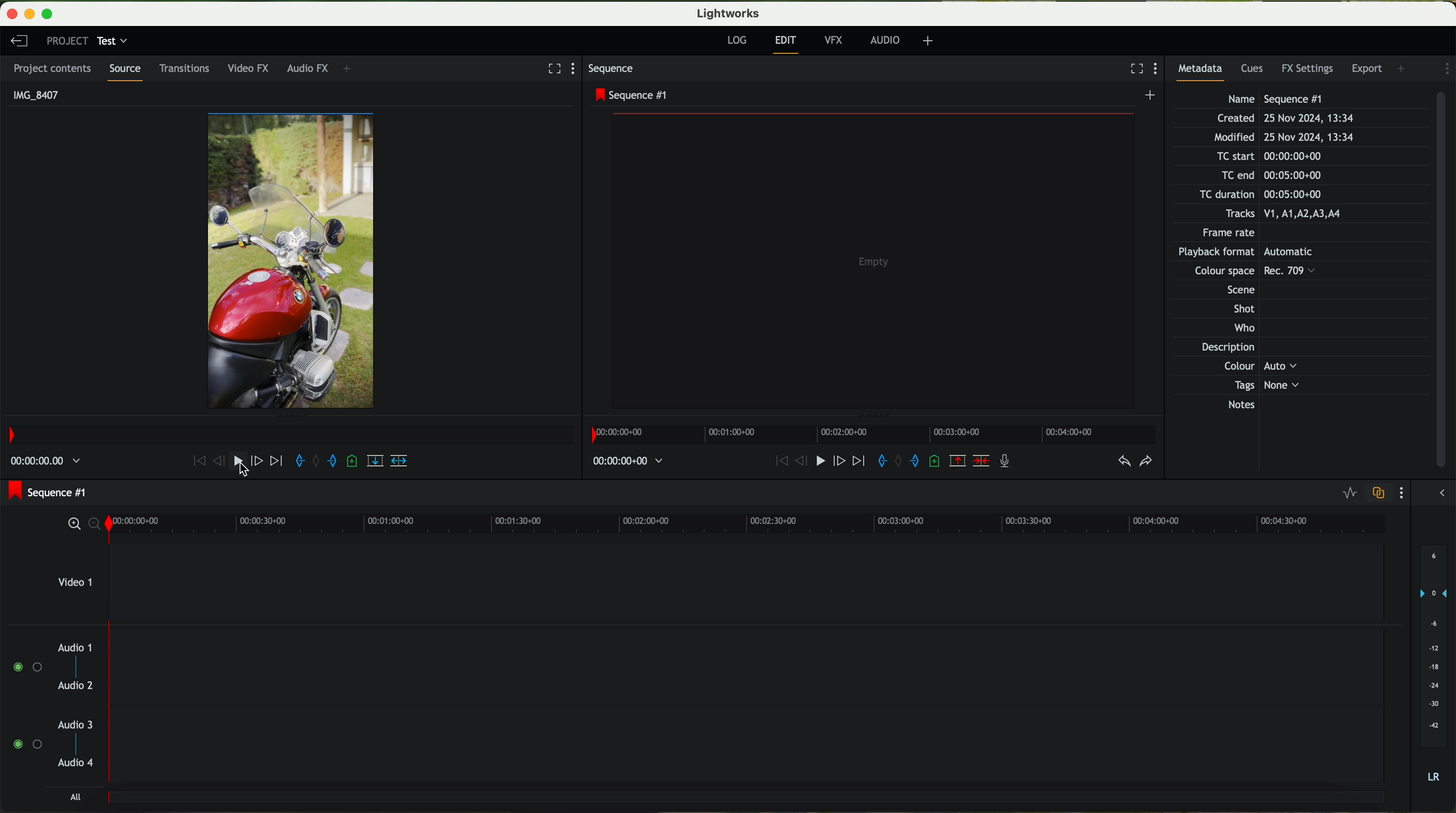 This screenshot has width=1456, height=813. What do you see at coordinates (748, 799) in the screenshot?
I see `track` at bounding box center [748, 799].